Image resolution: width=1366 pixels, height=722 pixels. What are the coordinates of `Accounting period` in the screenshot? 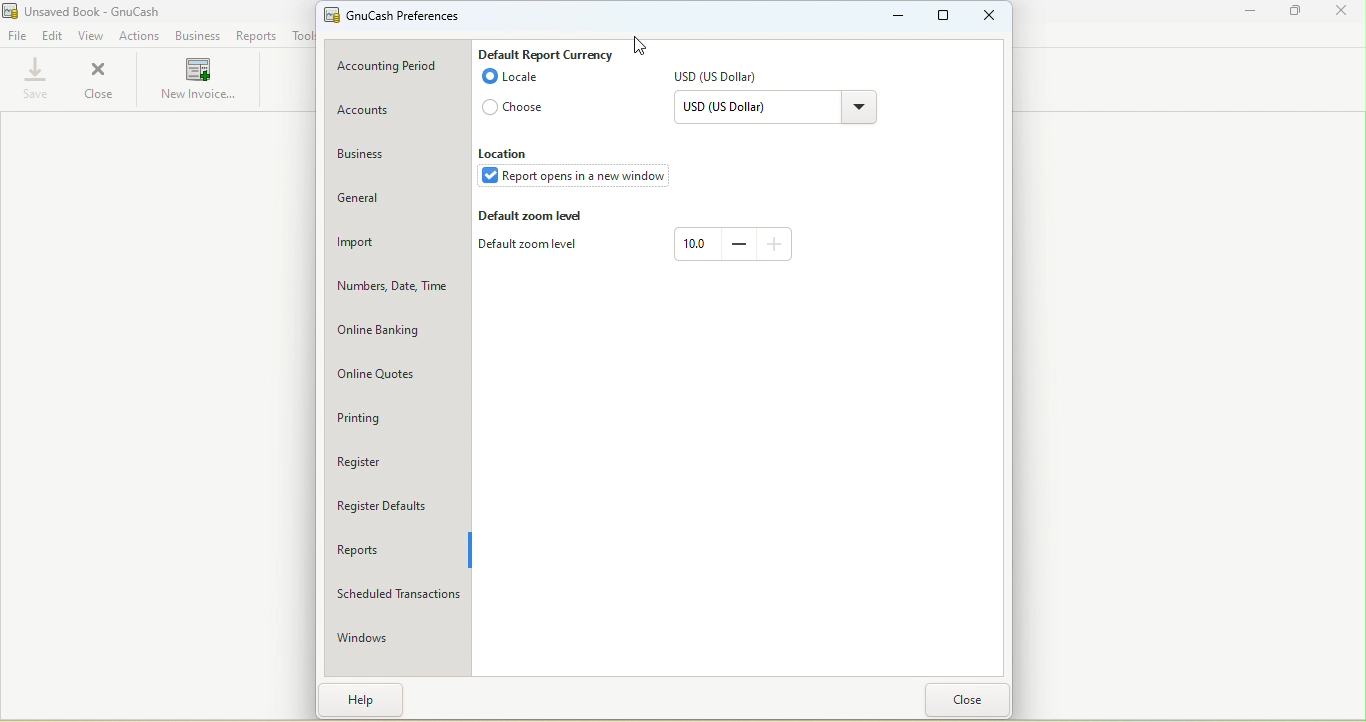 It's located at (401, 67).